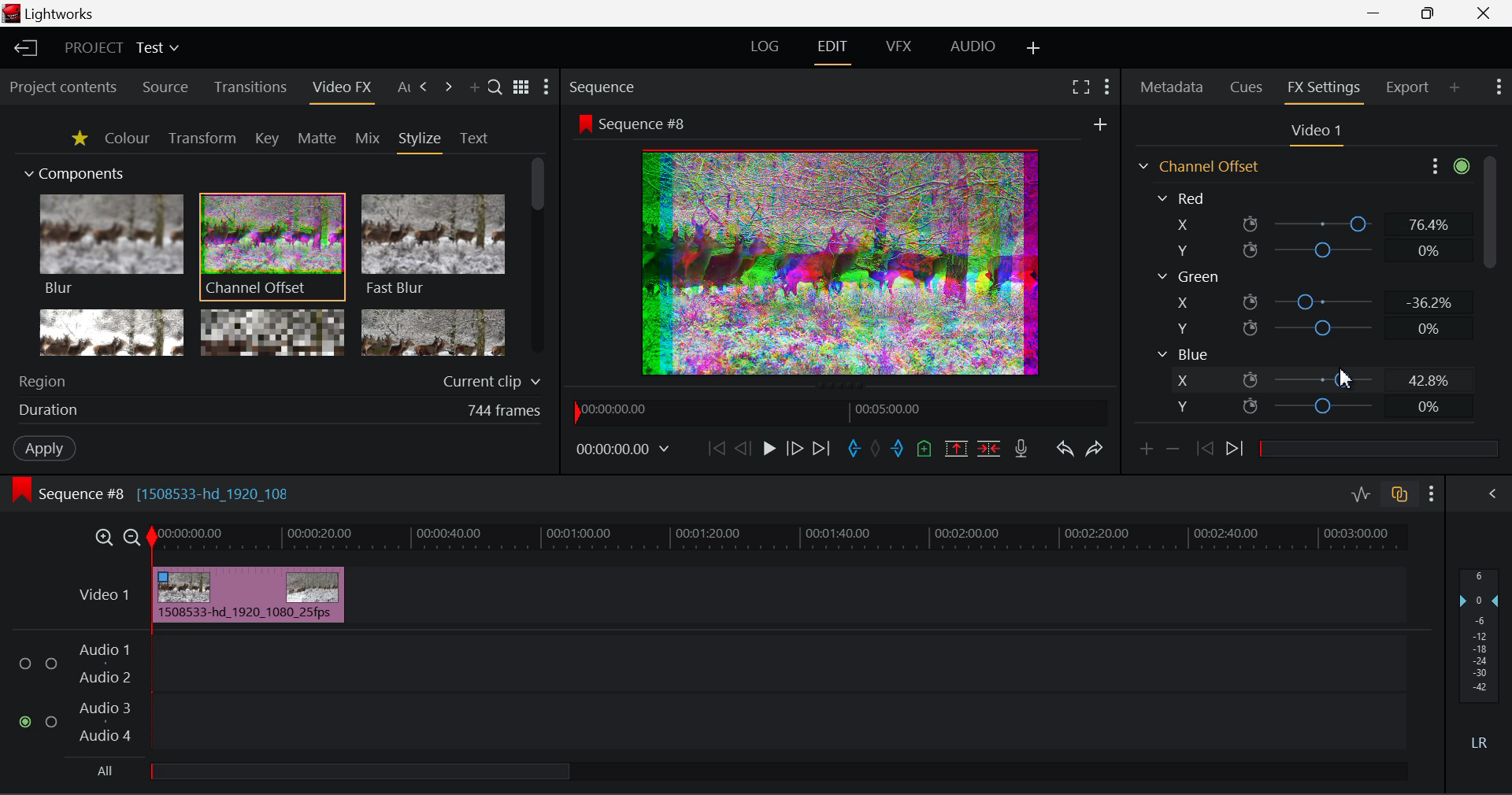 Image resolution: width=1512 pixels, height=795 pixels. I want to click on Matte, so click(317, 139).